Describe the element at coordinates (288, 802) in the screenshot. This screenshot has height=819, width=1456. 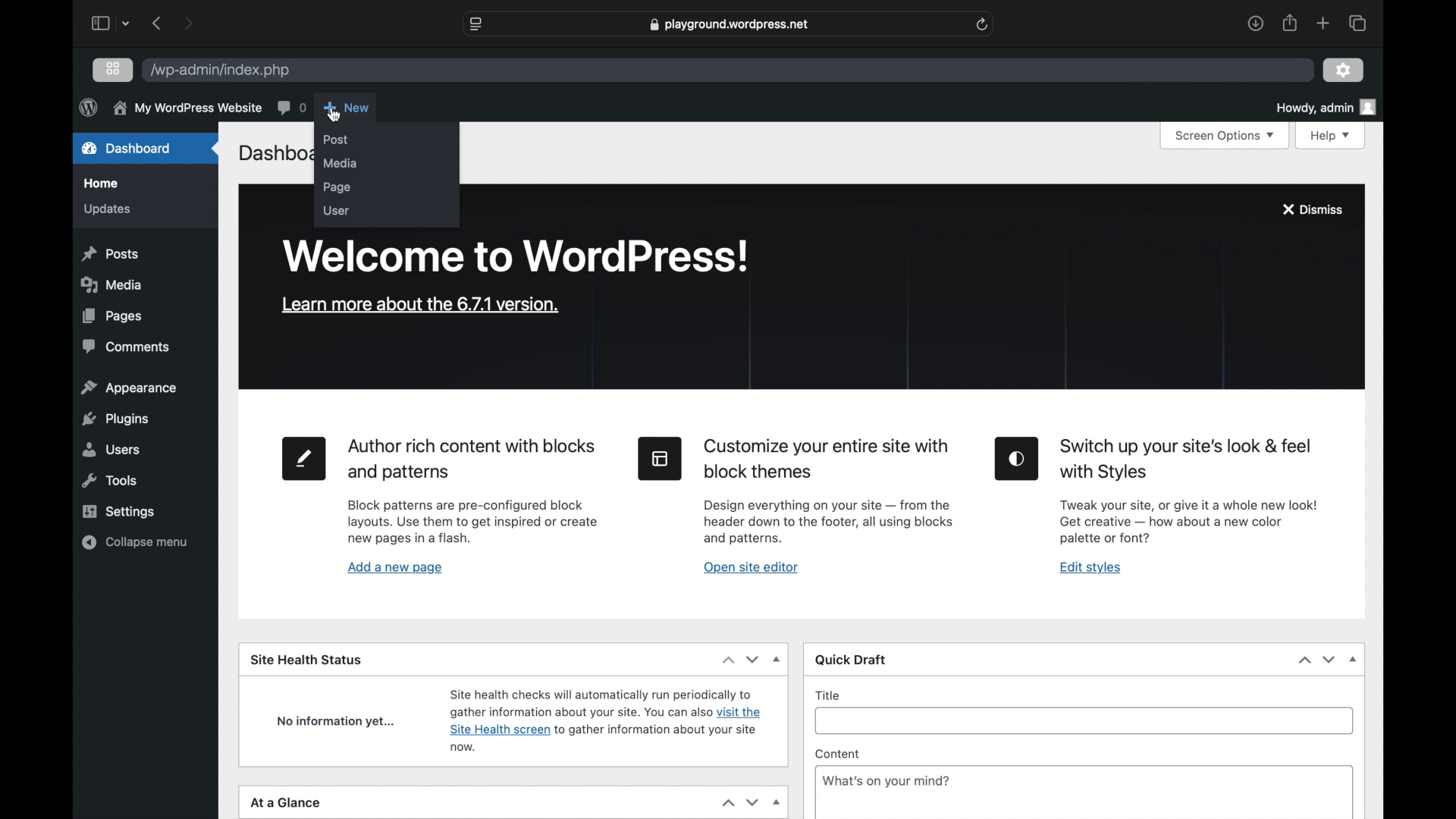
I see `at a glance` at that location.